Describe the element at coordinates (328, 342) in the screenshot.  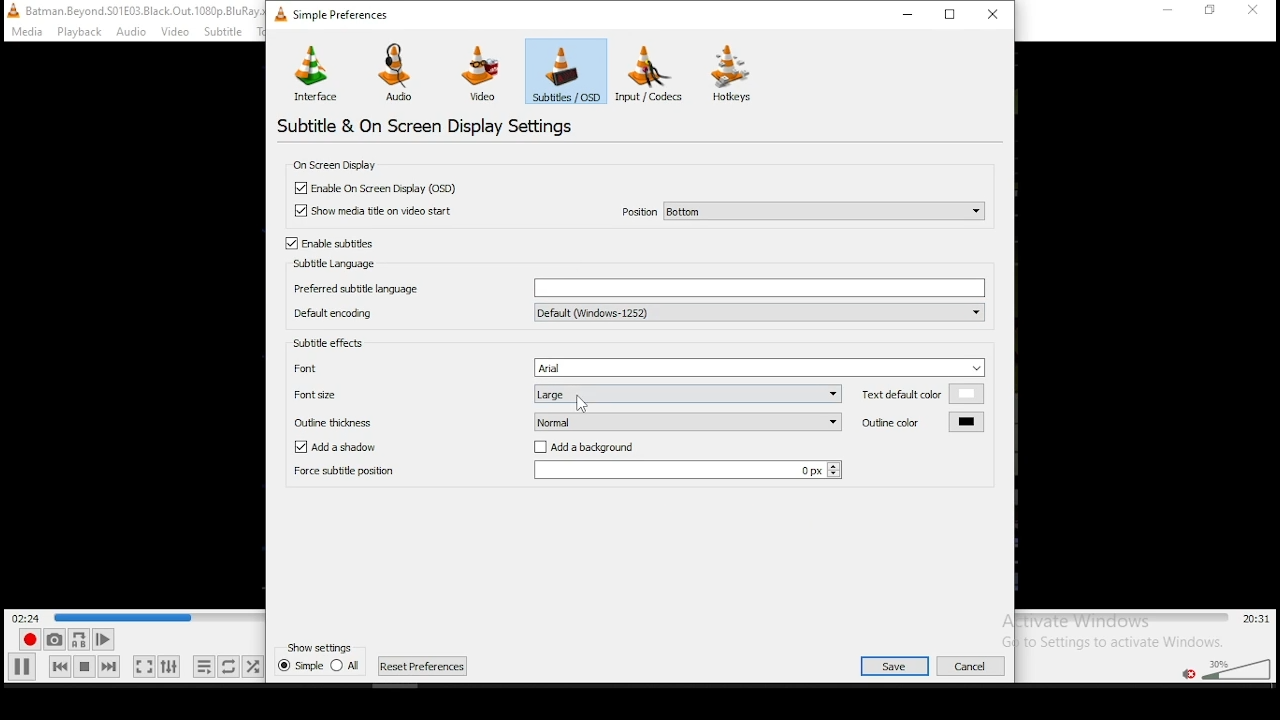
I see `subtitle effects` at that location.